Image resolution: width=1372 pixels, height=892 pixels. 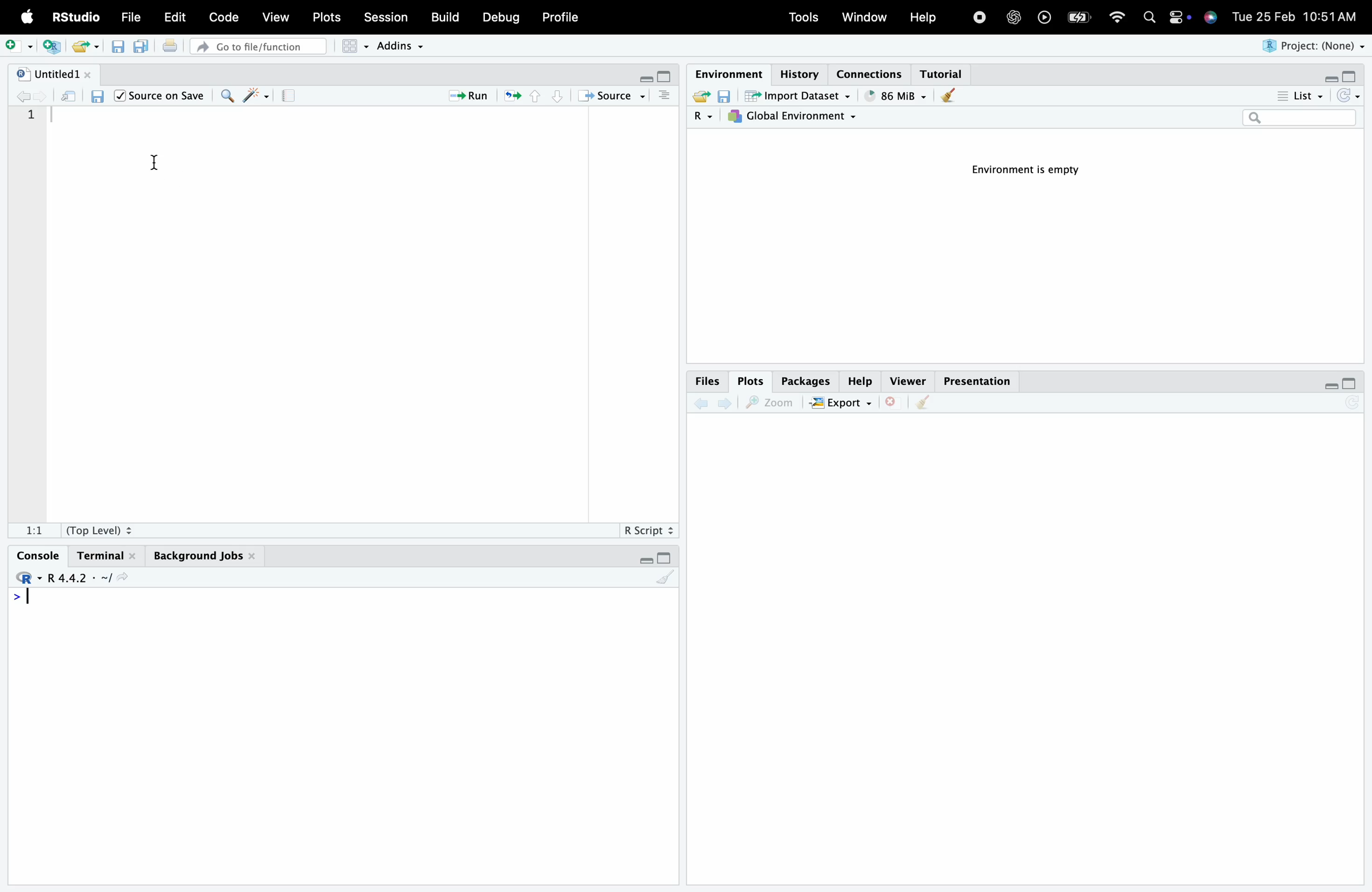 What do you see at coordinates (176, 50) in the screenshot?
I see `print` at bounding box center [176, 50].